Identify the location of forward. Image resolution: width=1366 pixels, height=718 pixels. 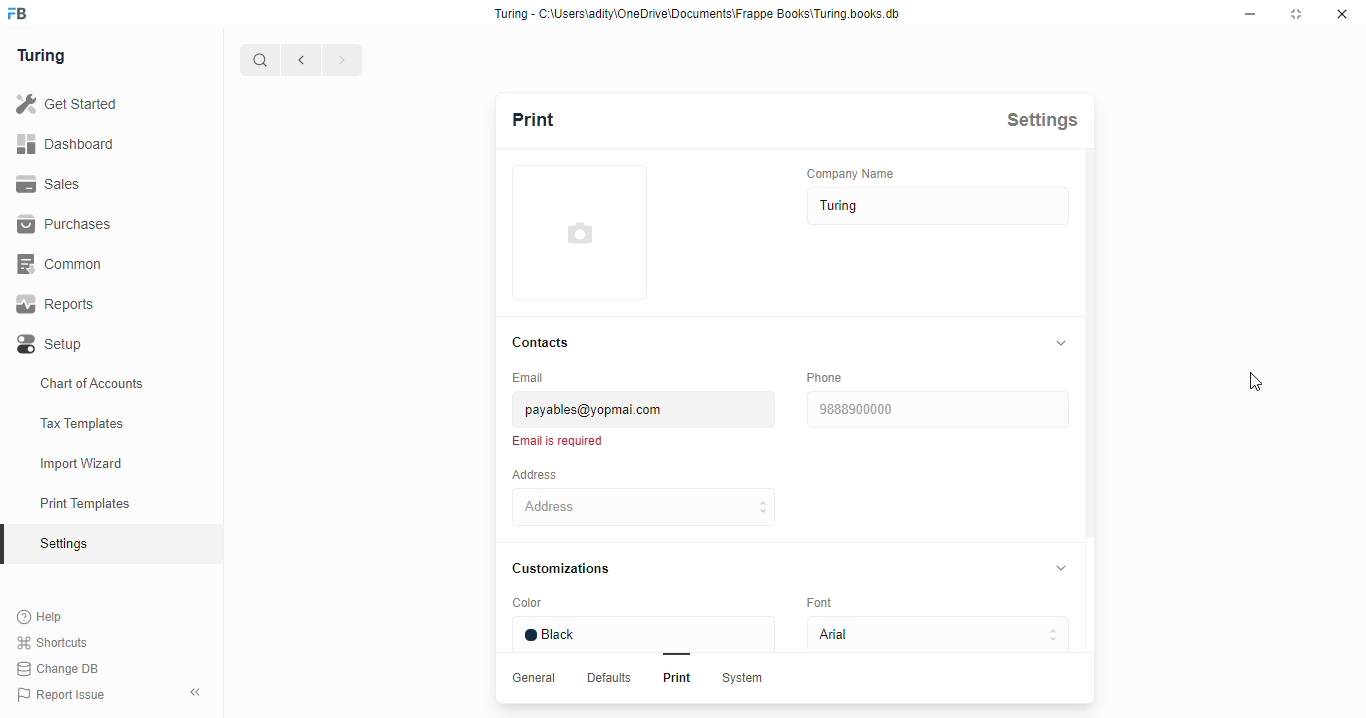
(341, 61).